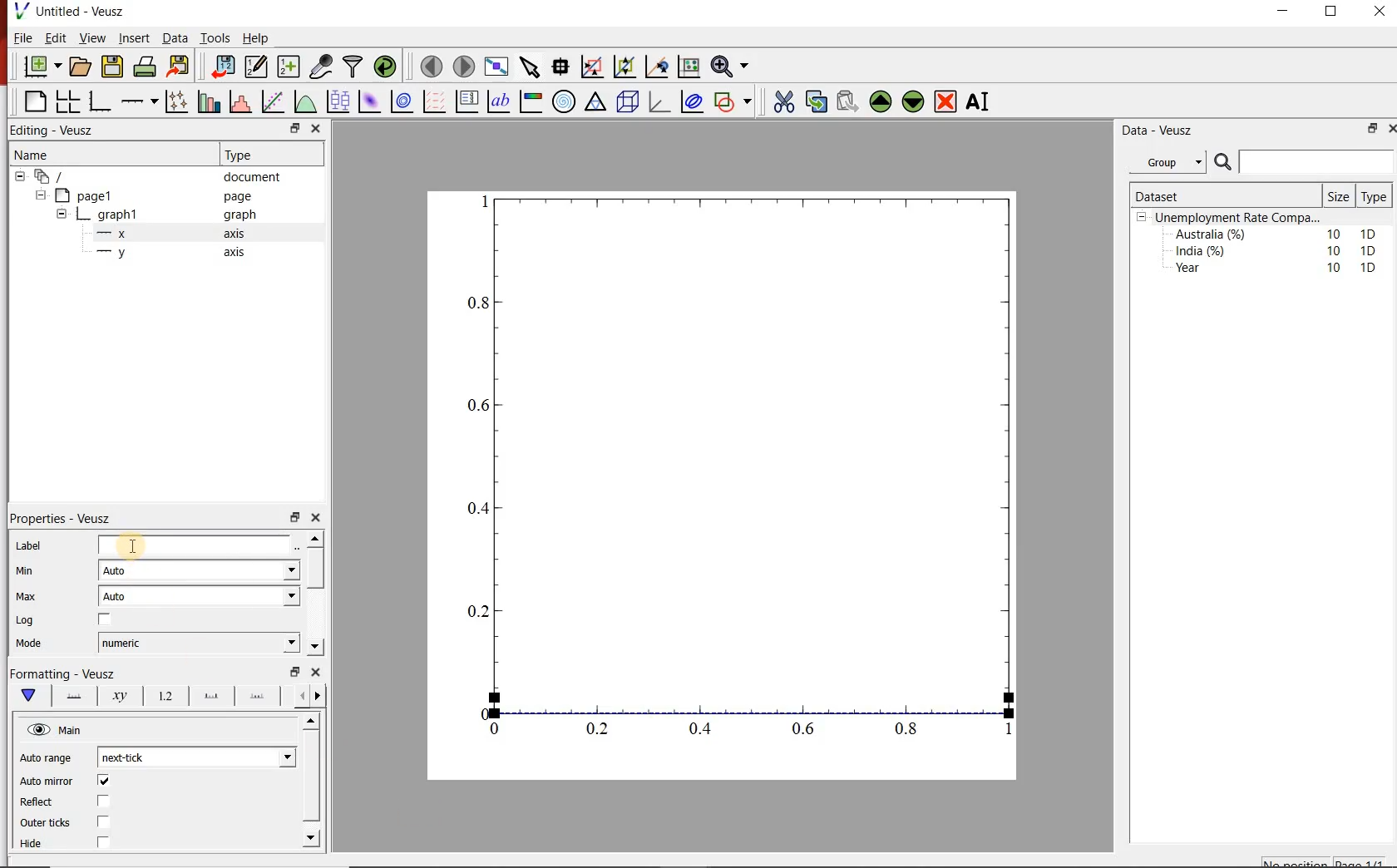 This screenshot has height=868, width=1397. I want to click on Type, so click(260, 155).